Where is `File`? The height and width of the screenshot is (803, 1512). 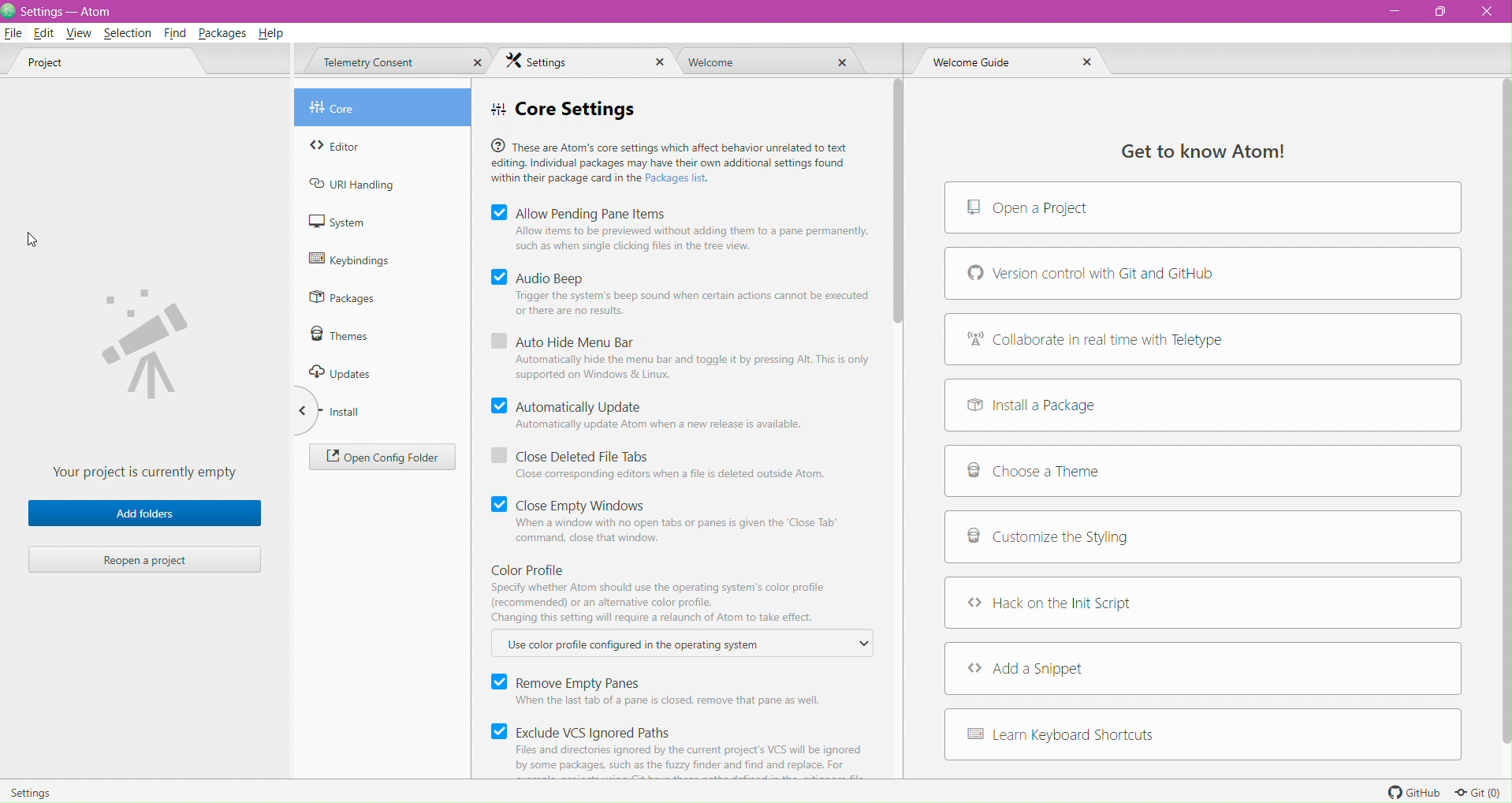 File is located at coordinates (13, 33).